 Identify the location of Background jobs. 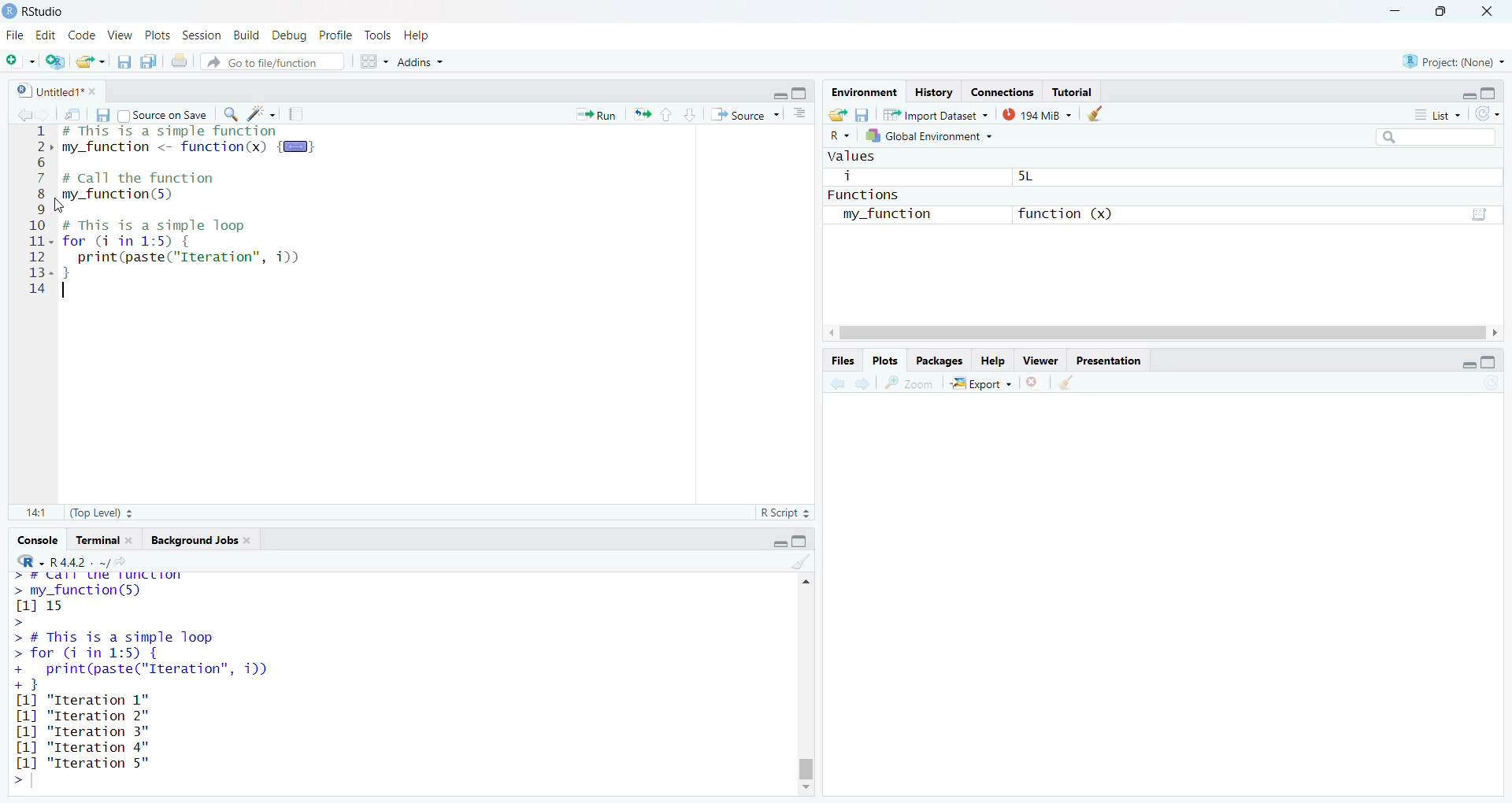
(194, 540).